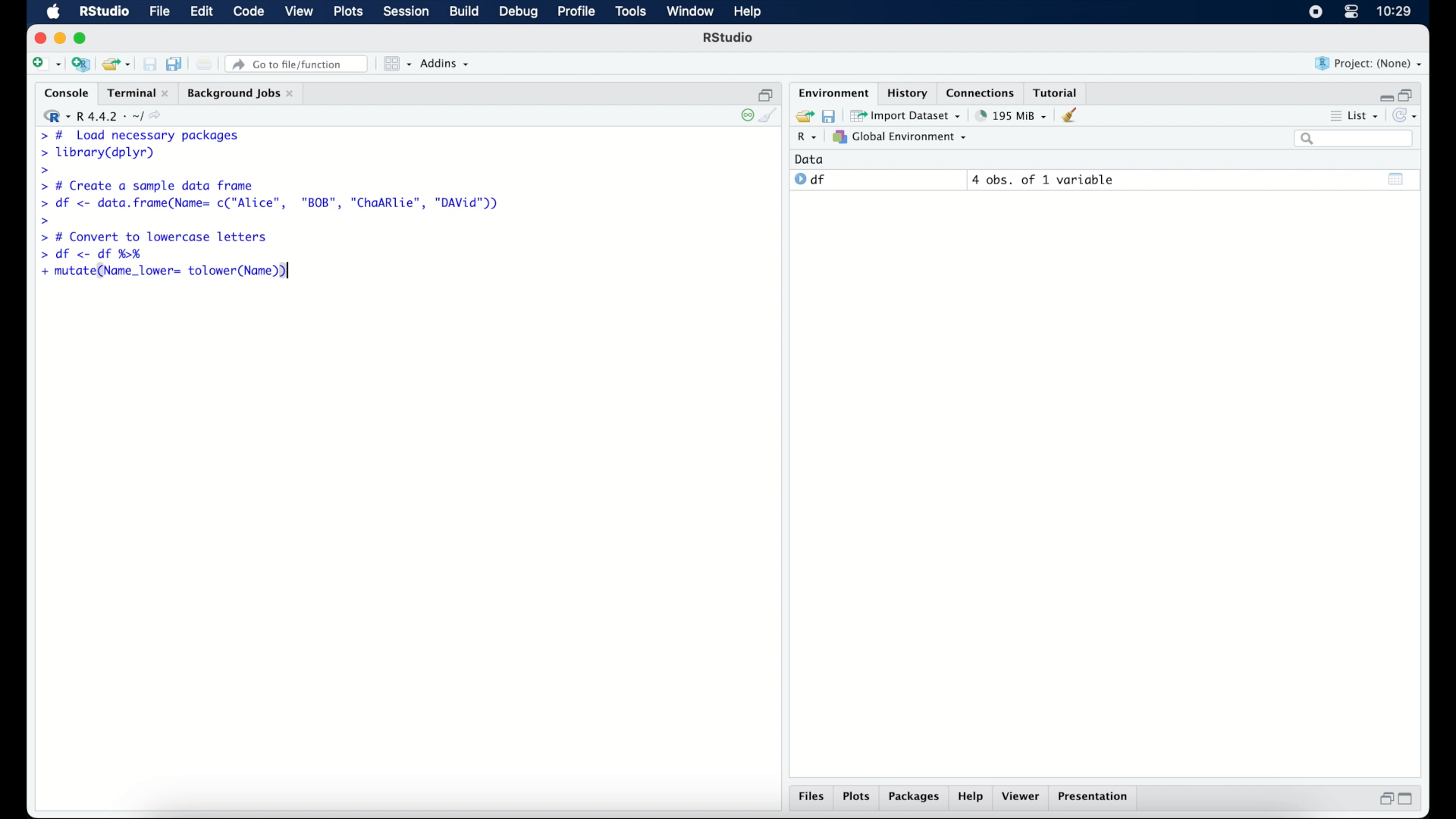 The width and height of the screenshot is (1456, 819). Describe the element at coordinates (63, 93) in the screenshot. I see `console` at that location.